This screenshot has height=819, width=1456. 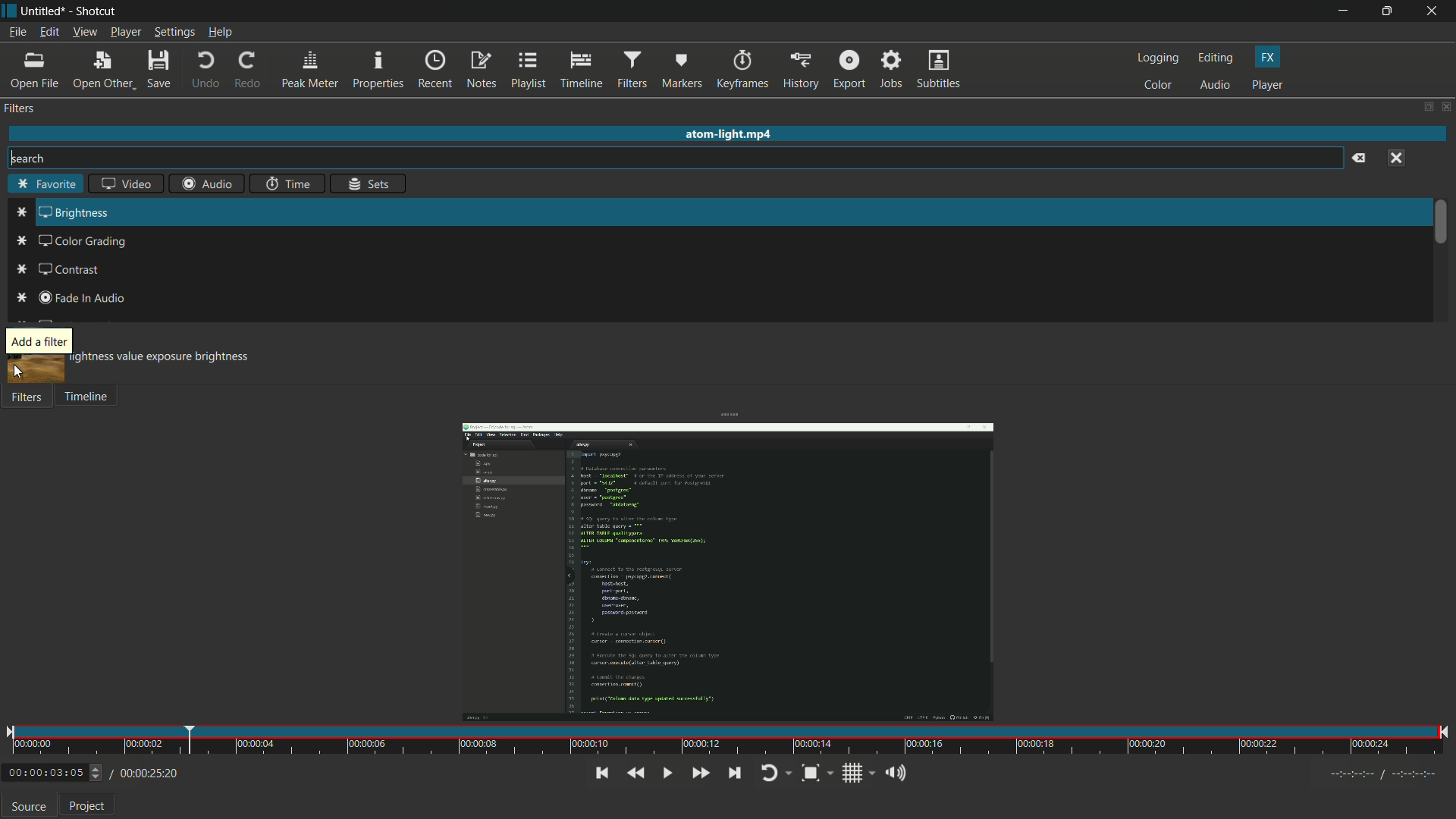 What do you see at coordinates (37, 71) in the screenshot?
I see `open file` at bounding box center [37, 71].